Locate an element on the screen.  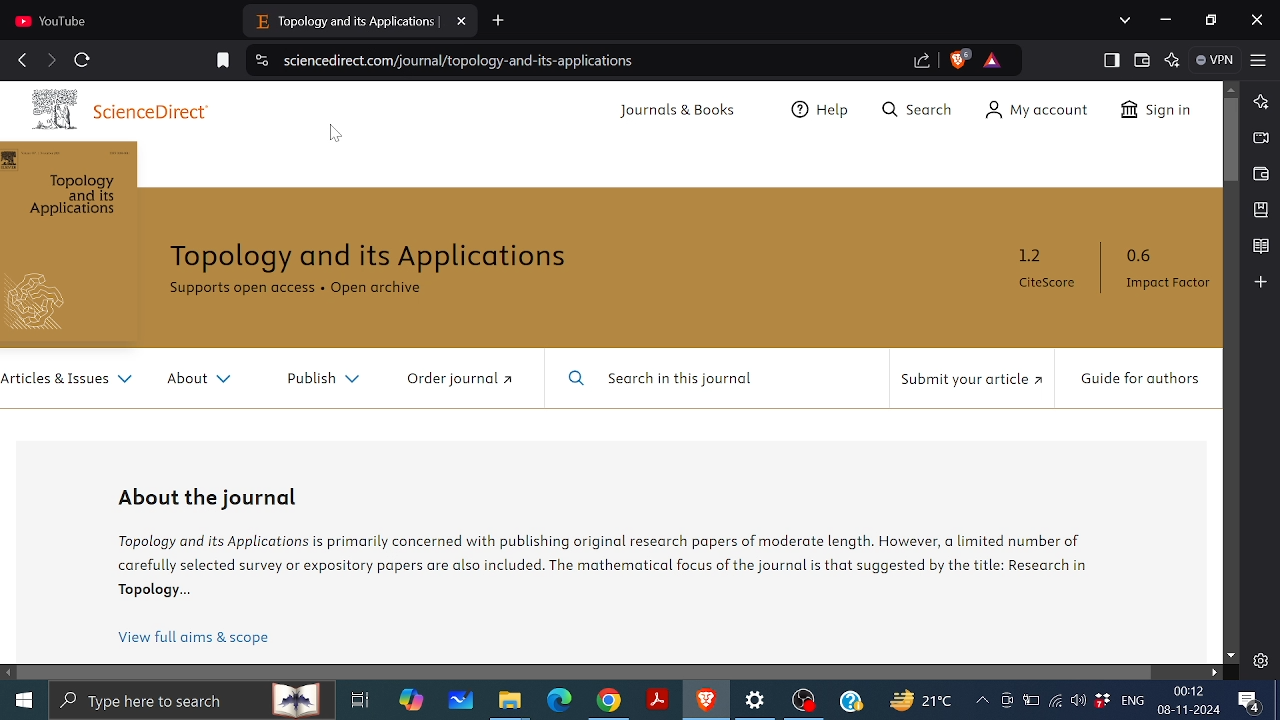
Restore down is located at coordinates (1214, 21).